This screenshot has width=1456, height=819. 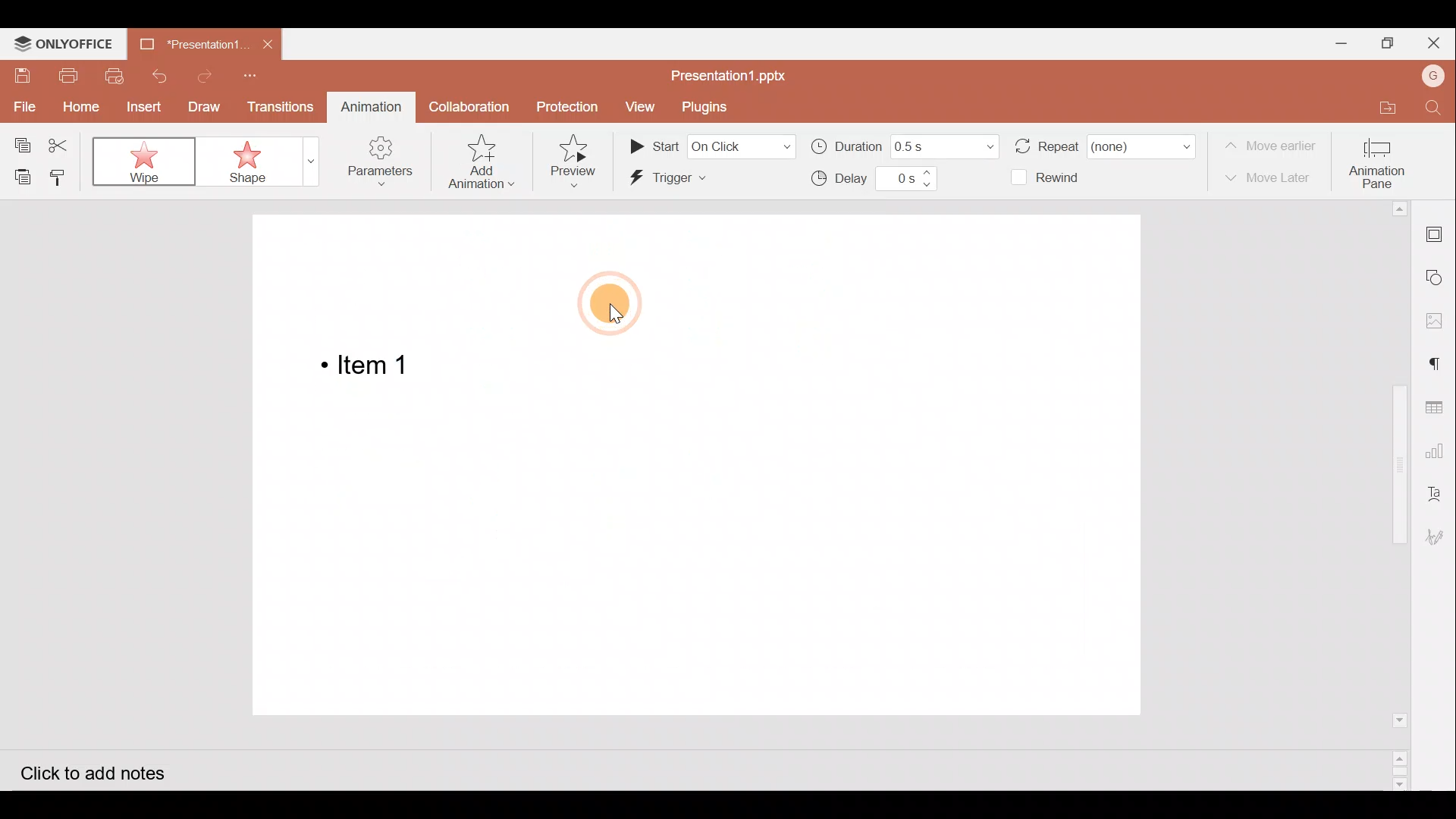 What do you see at coordinates (61, 143) in the screenshot?
I see `Cut` at bounding box center [61, 143].